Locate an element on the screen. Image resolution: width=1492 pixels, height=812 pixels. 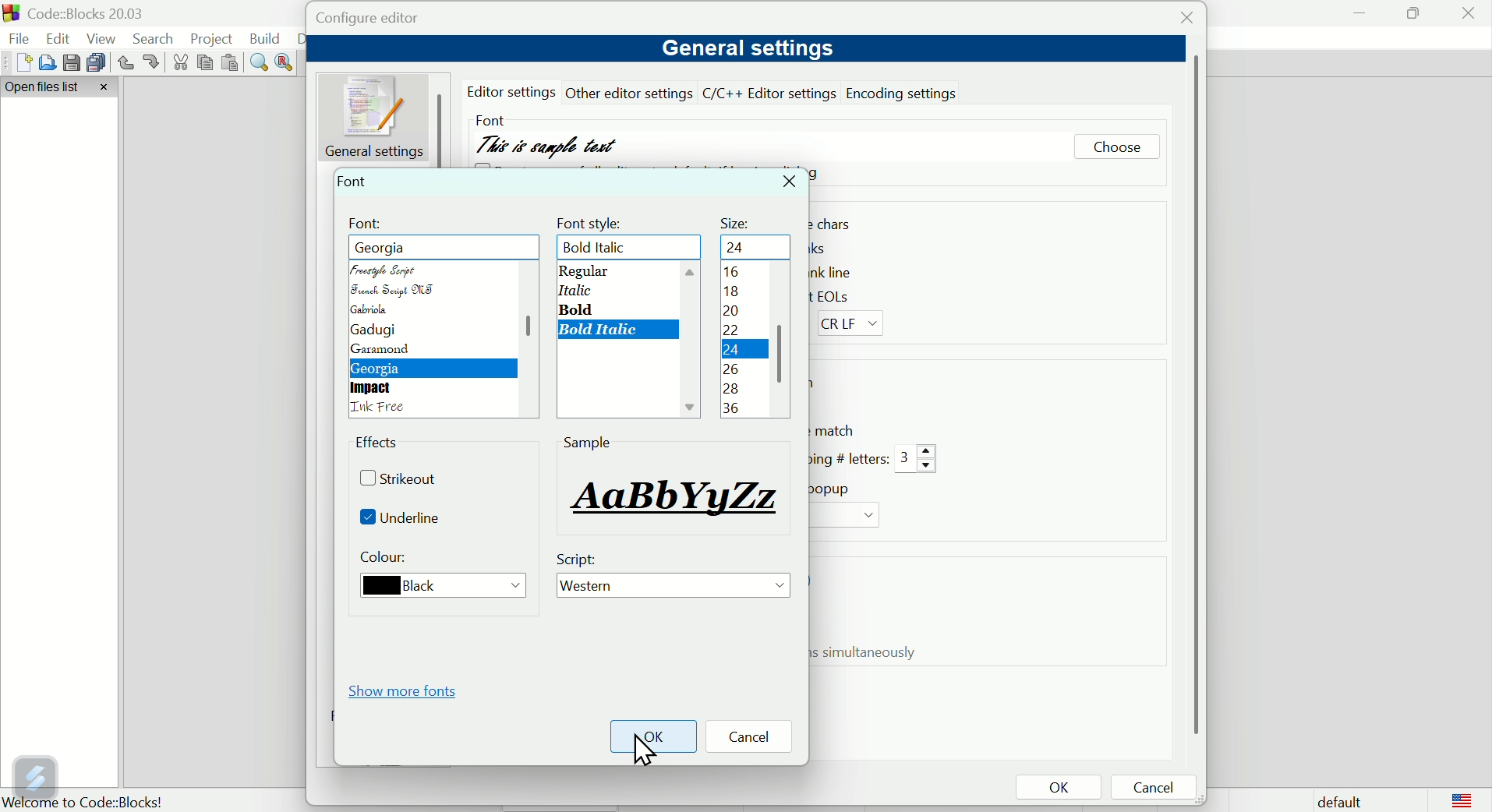
redo is located at coordinates (153, 62).